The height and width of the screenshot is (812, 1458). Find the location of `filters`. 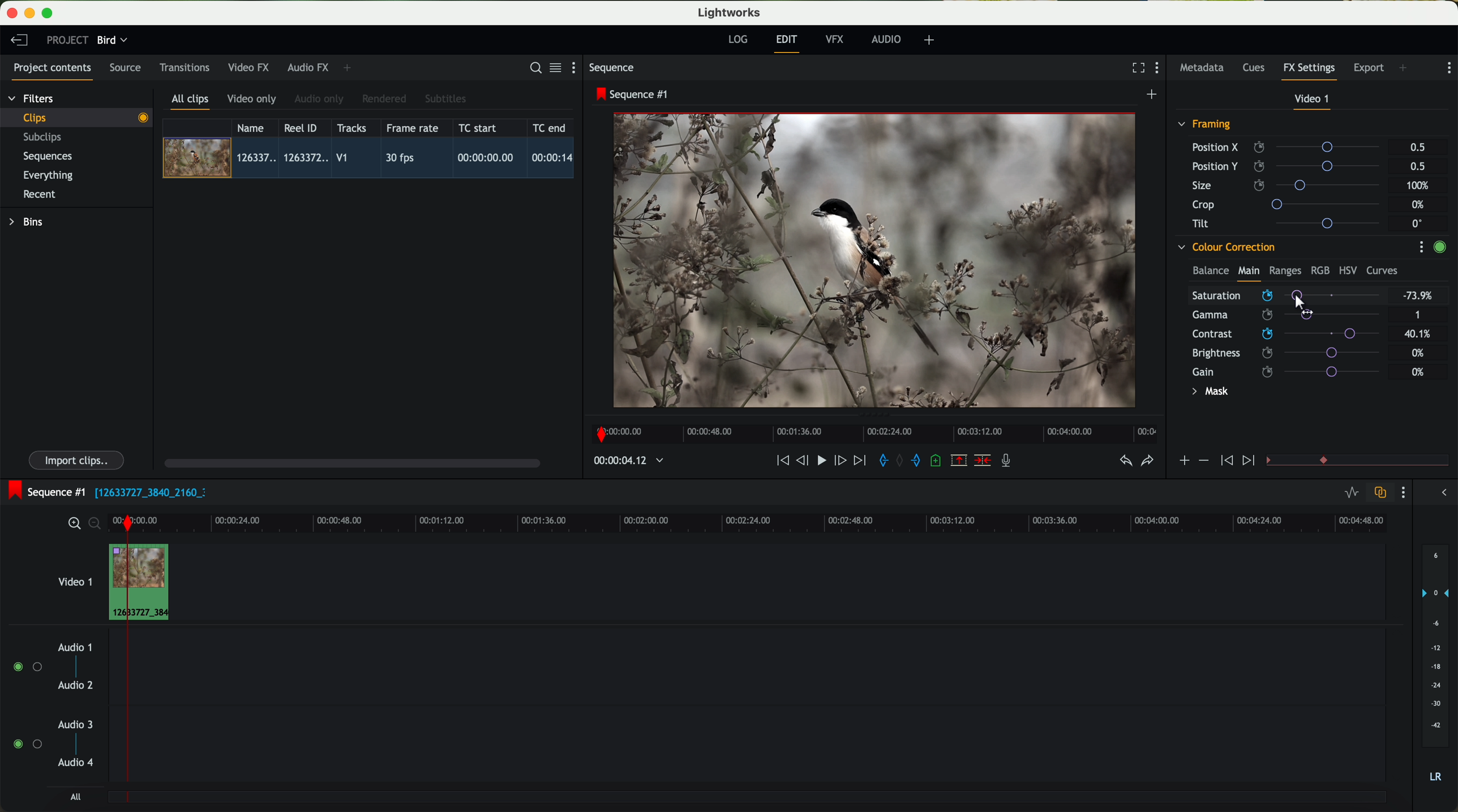

filters is located at coordinates (32, 98).